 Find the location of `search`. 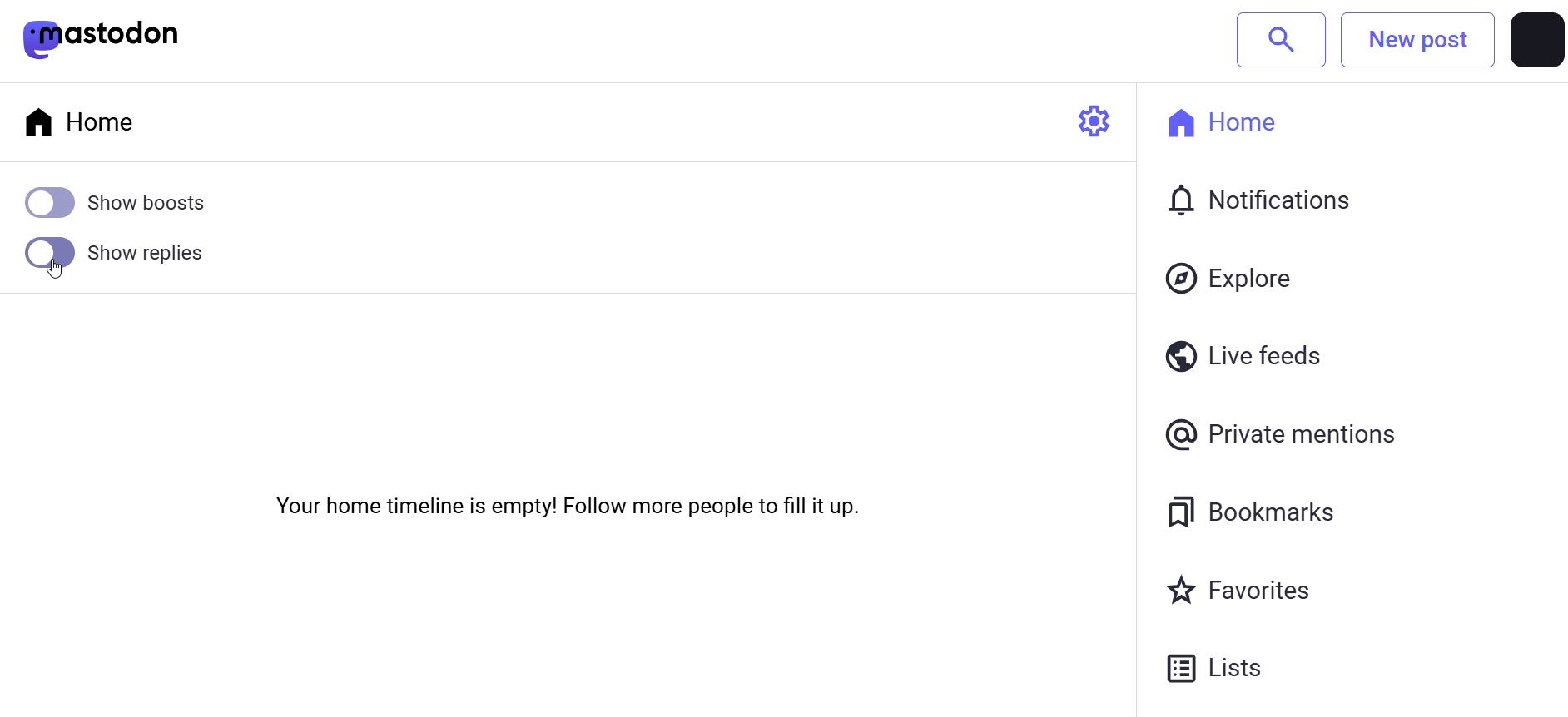

search is located at coordinates (1281, 38).